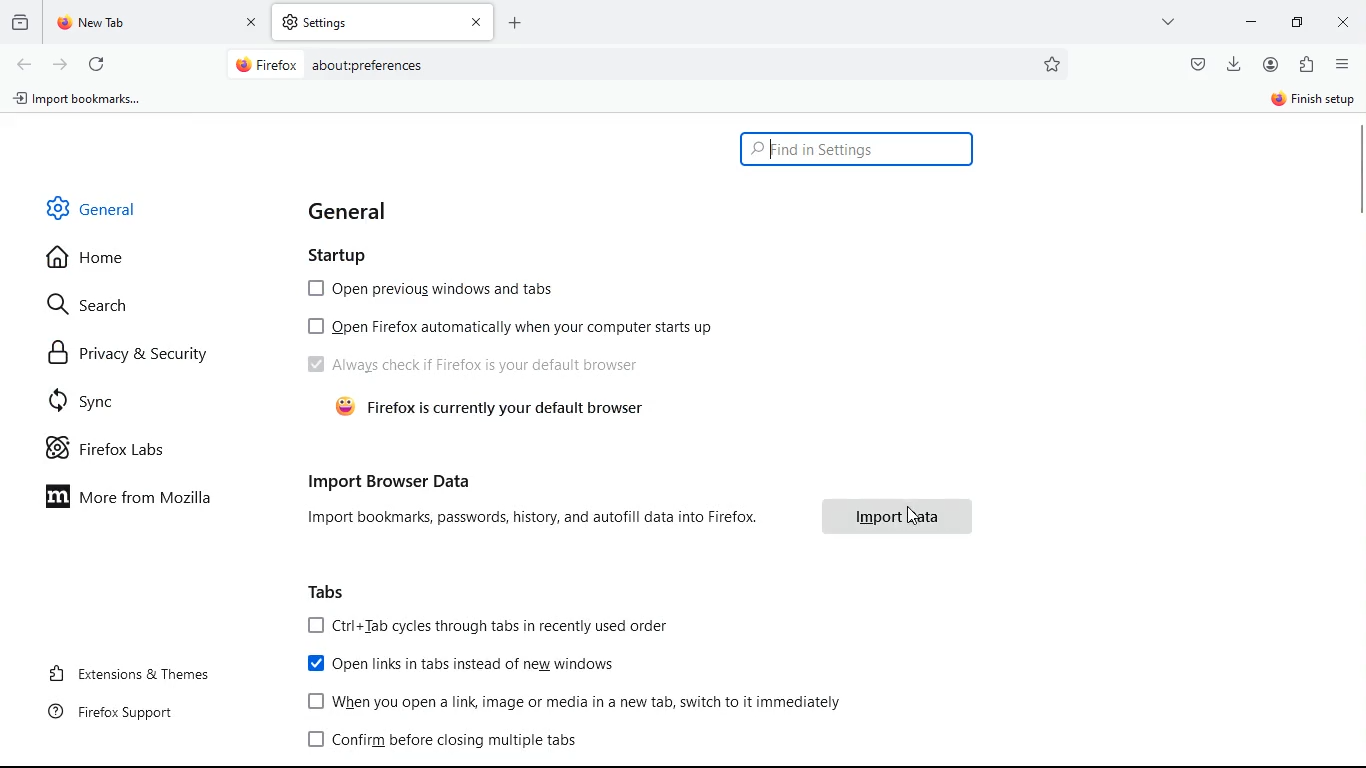 The height and width of the screenshot is (768, 1366). What do you see at coordinates (448, 742) in the screenshot?
I see `confirm before closing multiple tabs` at bounding box center [448, 742].